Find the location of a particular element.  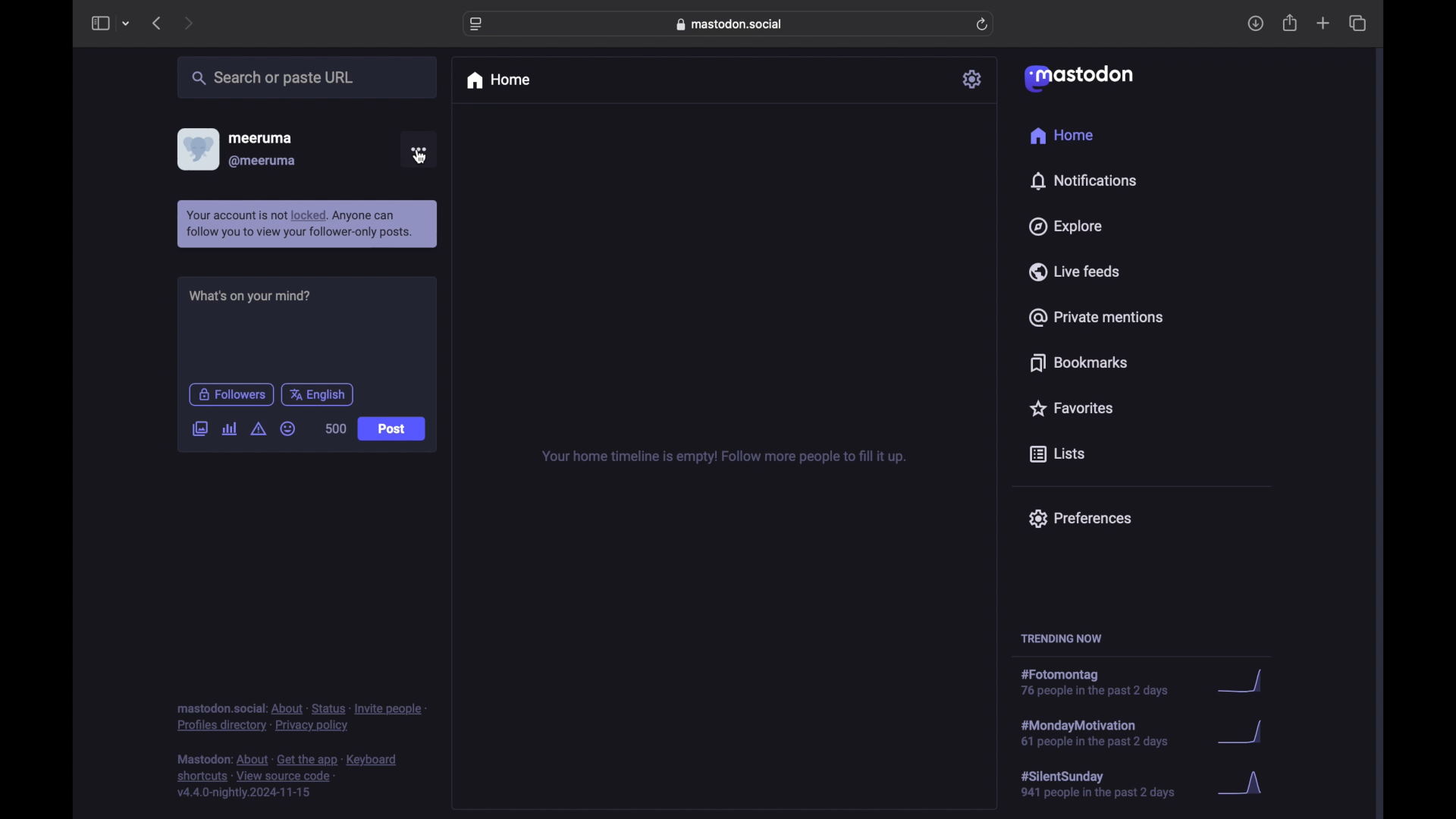

home is located at coordinates (1062, 136).